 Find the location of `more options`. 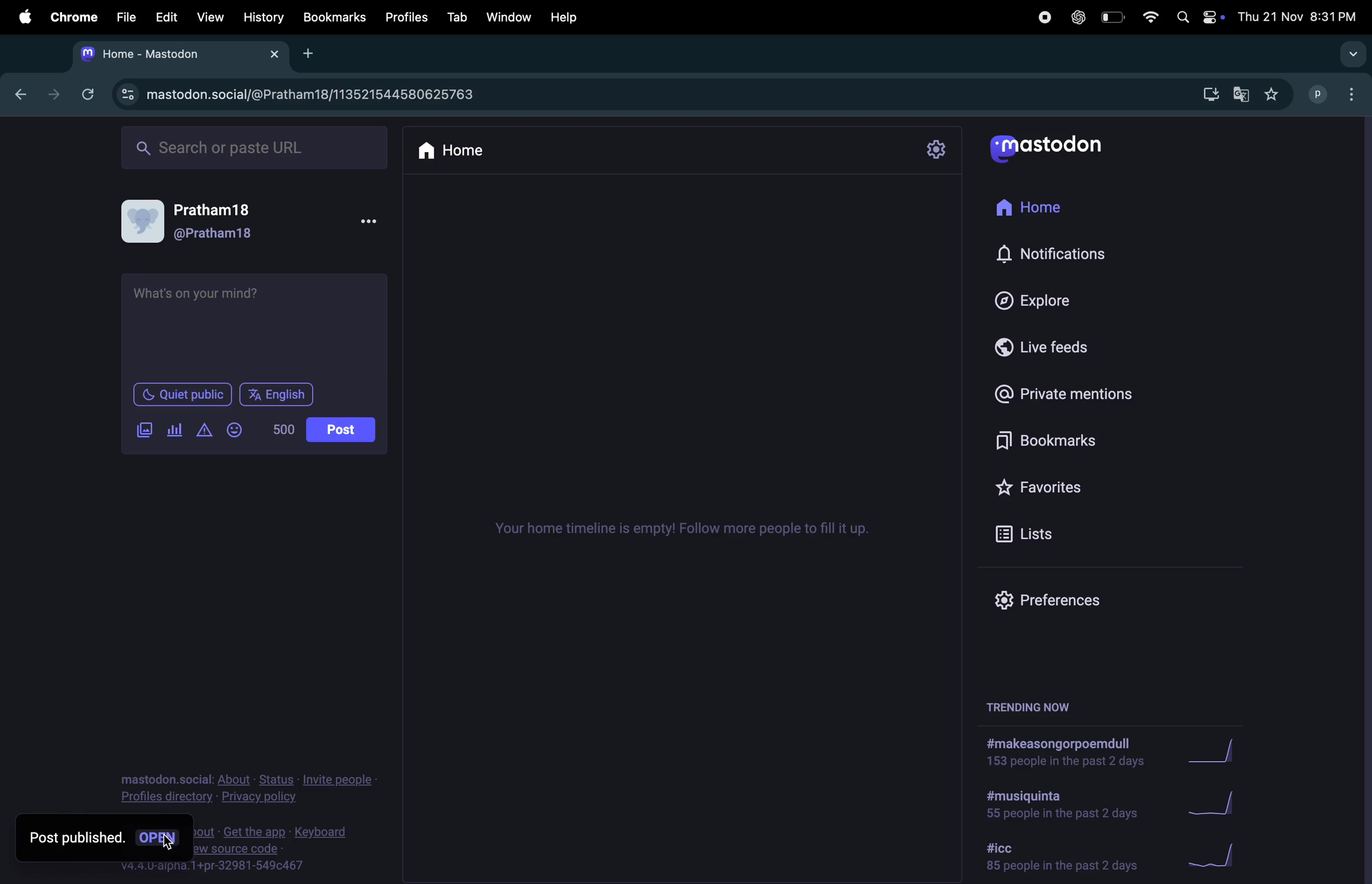

more options is located at coordinates (370, 223).